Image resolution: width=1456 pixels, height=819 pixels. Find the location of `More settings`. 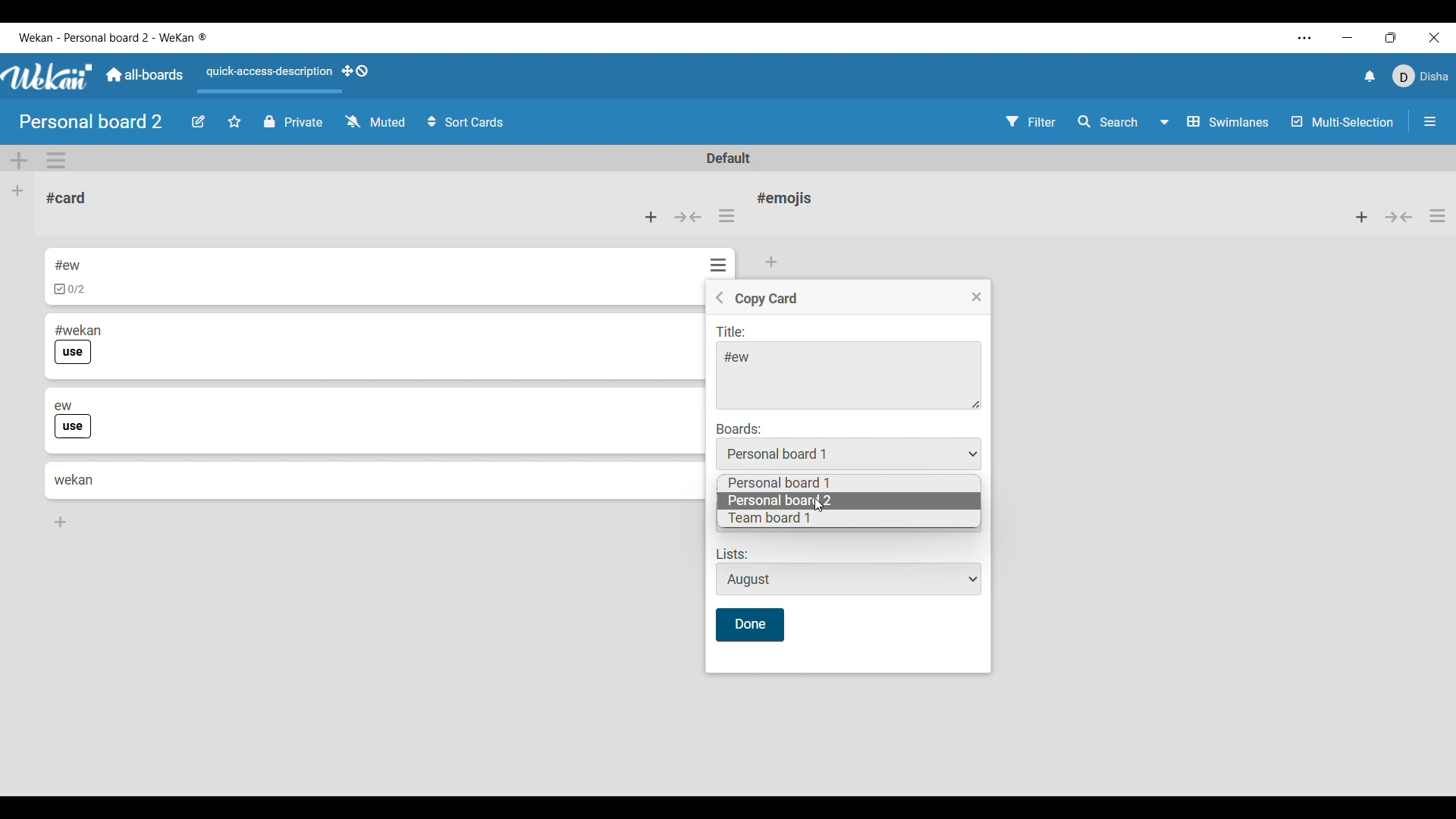

More settings is located at coordinates (1304, 38).